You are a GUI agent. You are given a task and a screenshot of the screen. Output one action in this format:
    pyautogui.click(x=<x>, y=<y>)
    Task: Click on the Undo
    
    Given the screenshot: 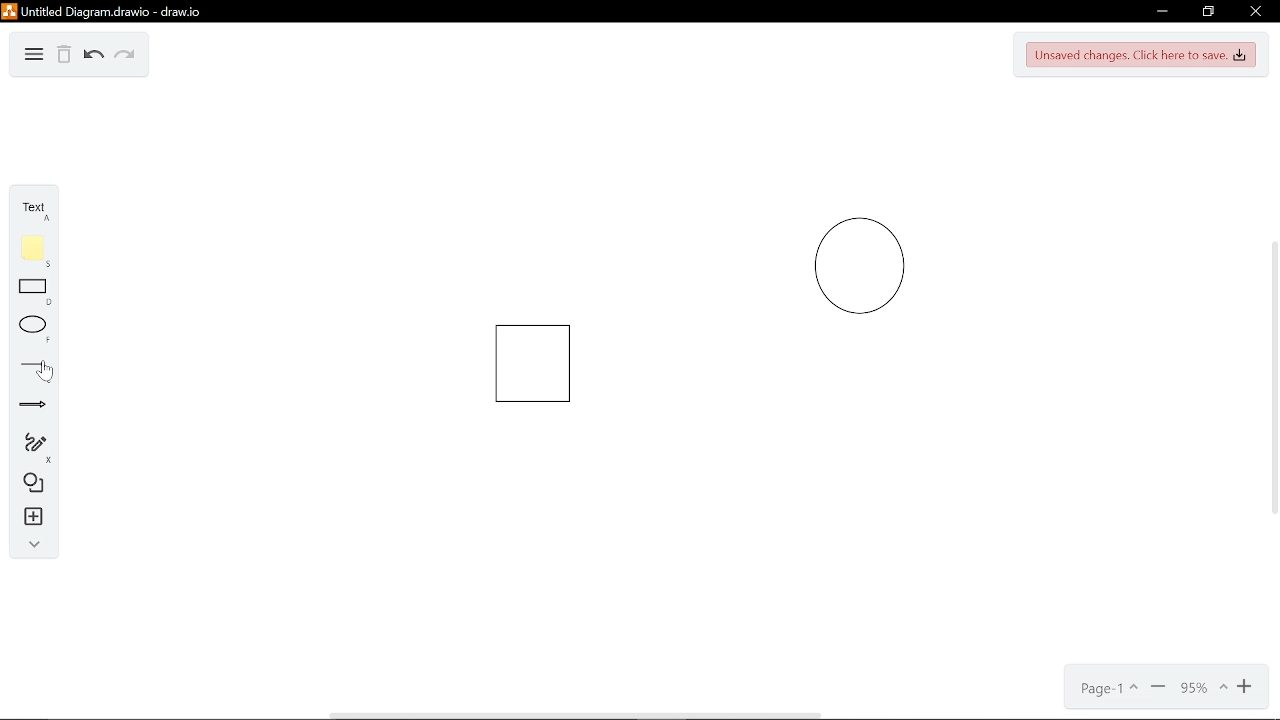 What is the action you would take?
    pyautogui.click(x=93, y=55)
    